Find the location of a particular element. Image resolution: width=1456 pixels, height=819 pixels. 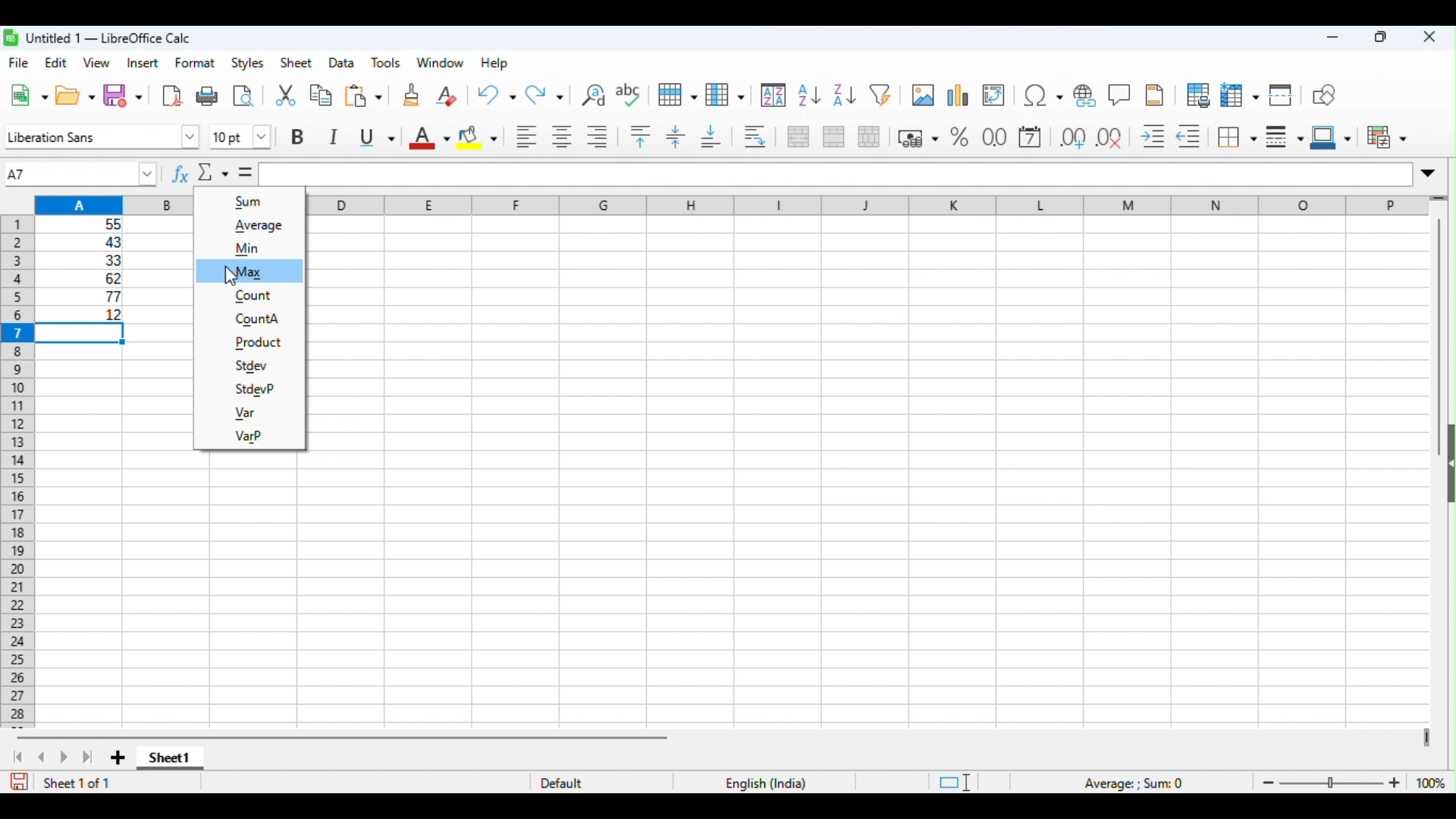

show draw functions is located at coordinates (1327, 93).